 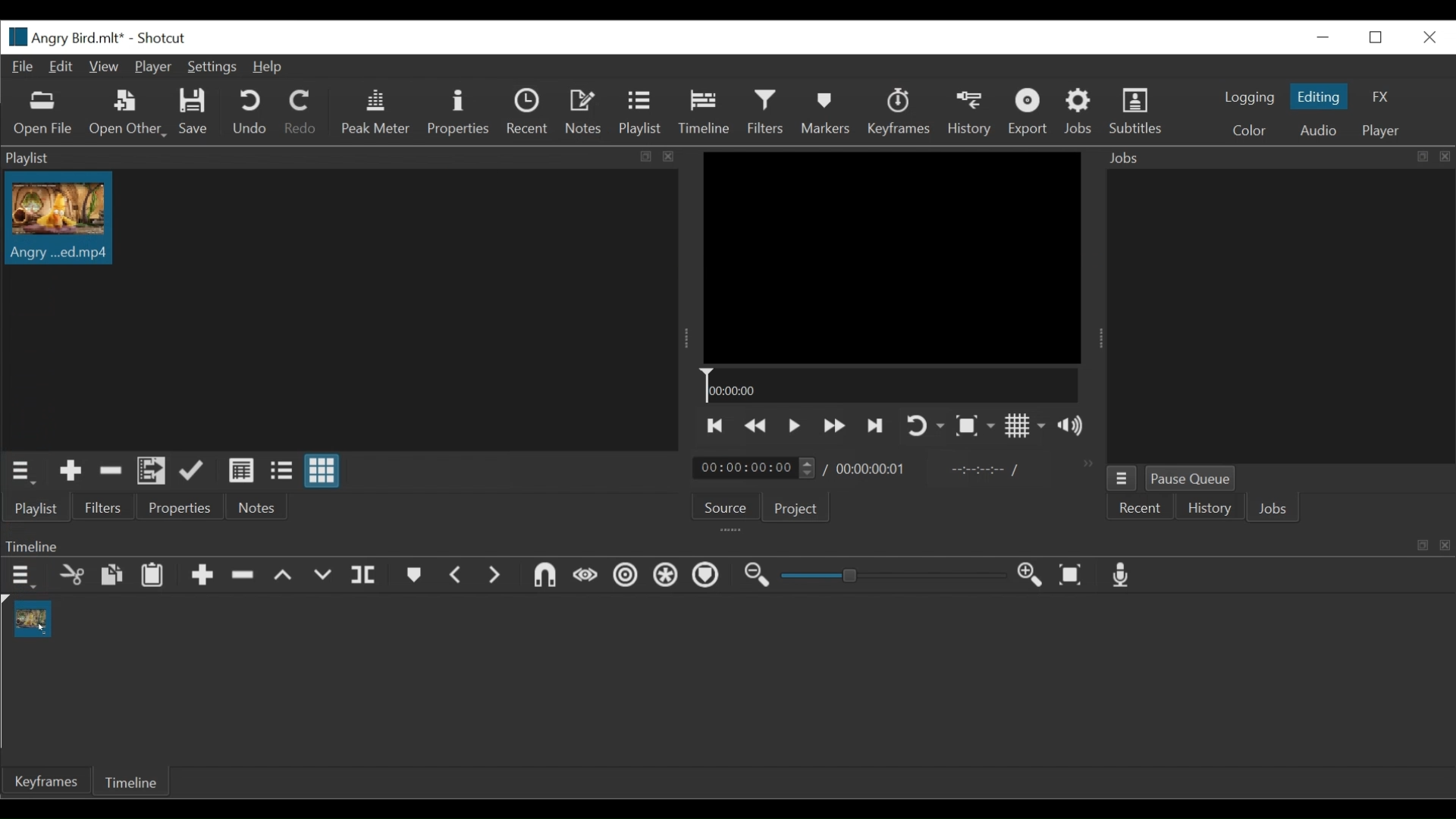 What do you see at coordinates (44, 114) in the screenshot?
I see `Open Files` at bounding box center [44, 114].